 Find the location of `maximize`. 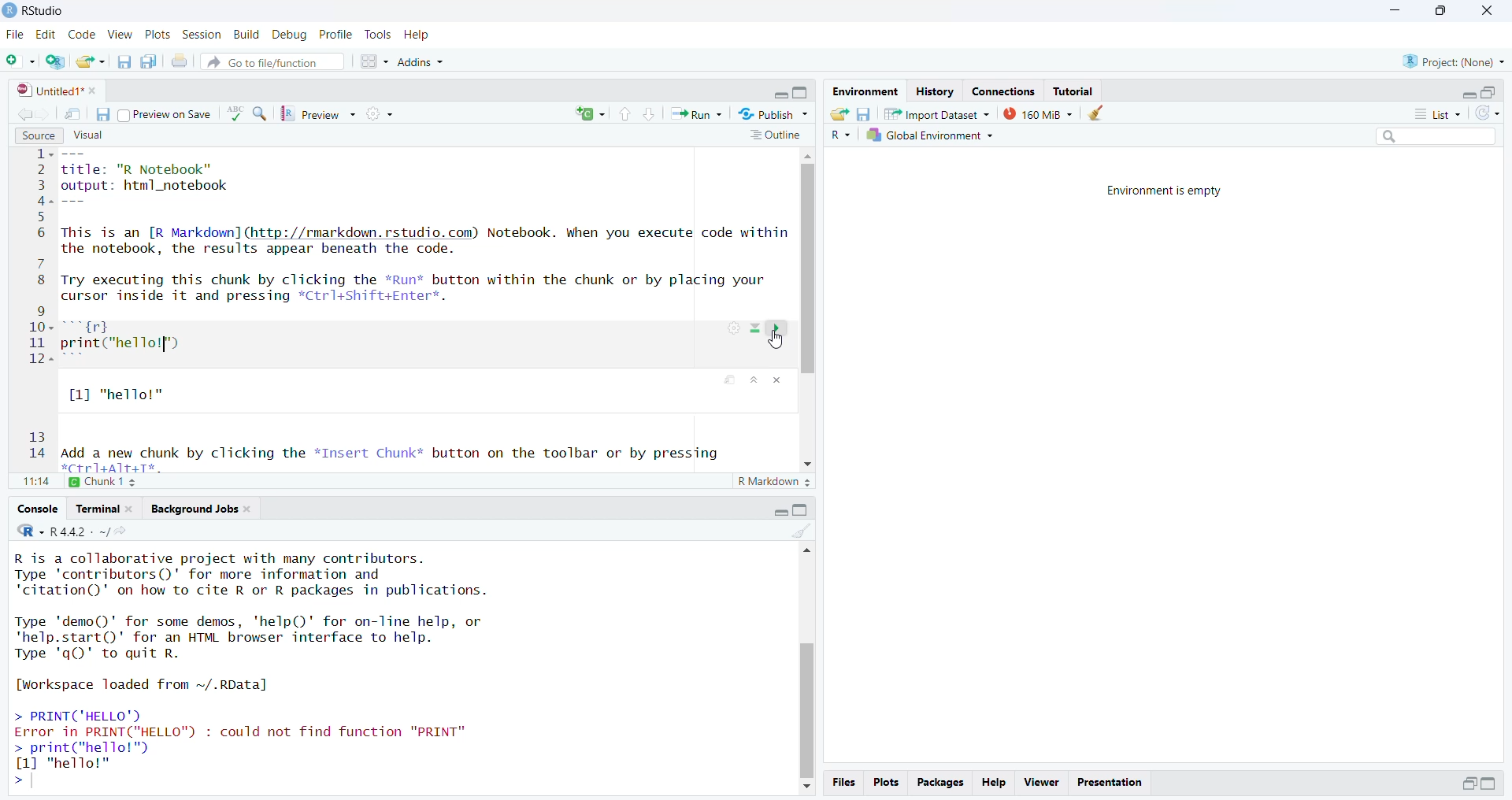

maximize is located at coordinates (1439, 12).